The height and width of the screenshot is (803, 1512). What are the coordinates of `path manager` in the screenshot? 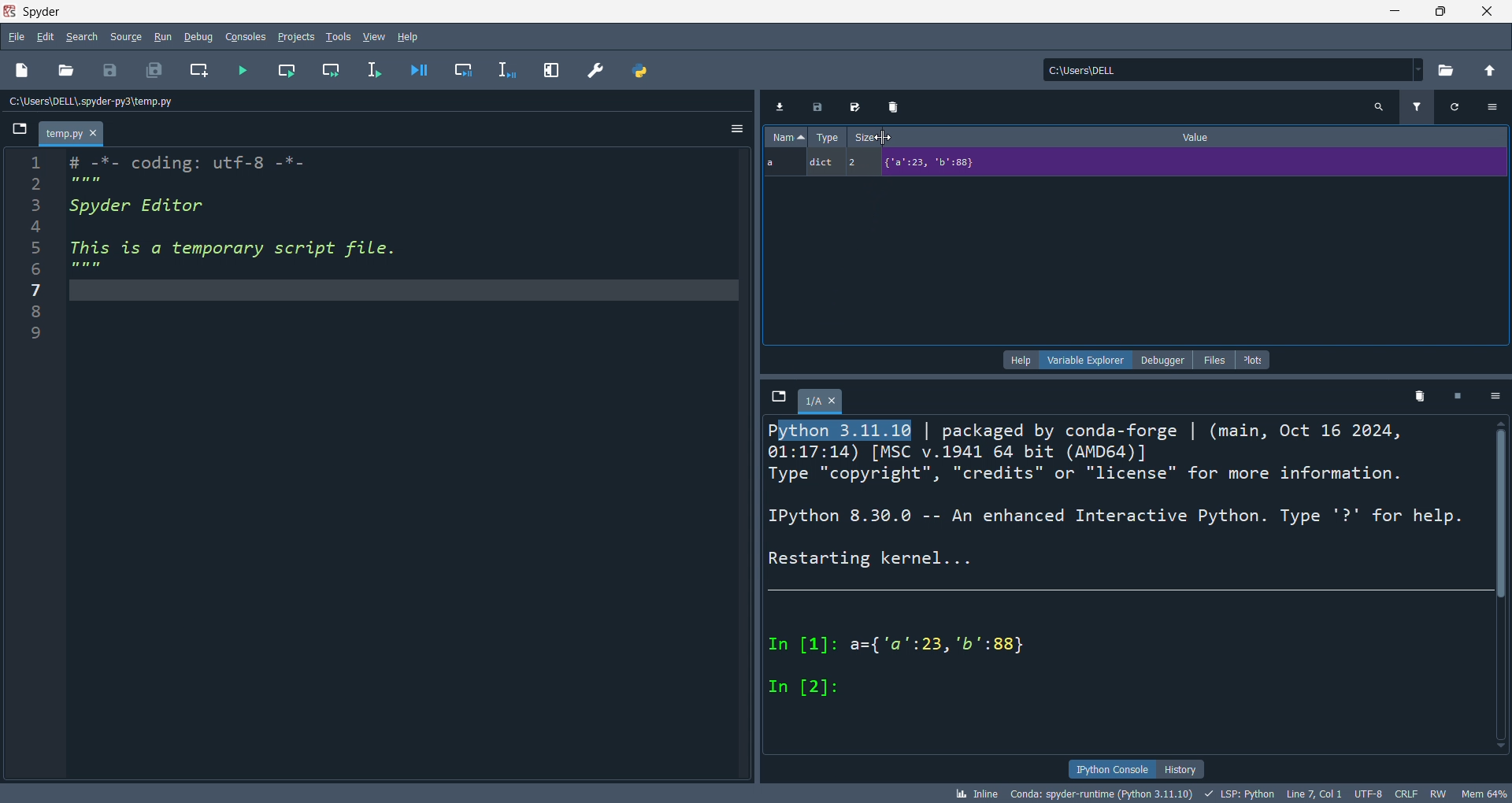 It's located at (640, 68).